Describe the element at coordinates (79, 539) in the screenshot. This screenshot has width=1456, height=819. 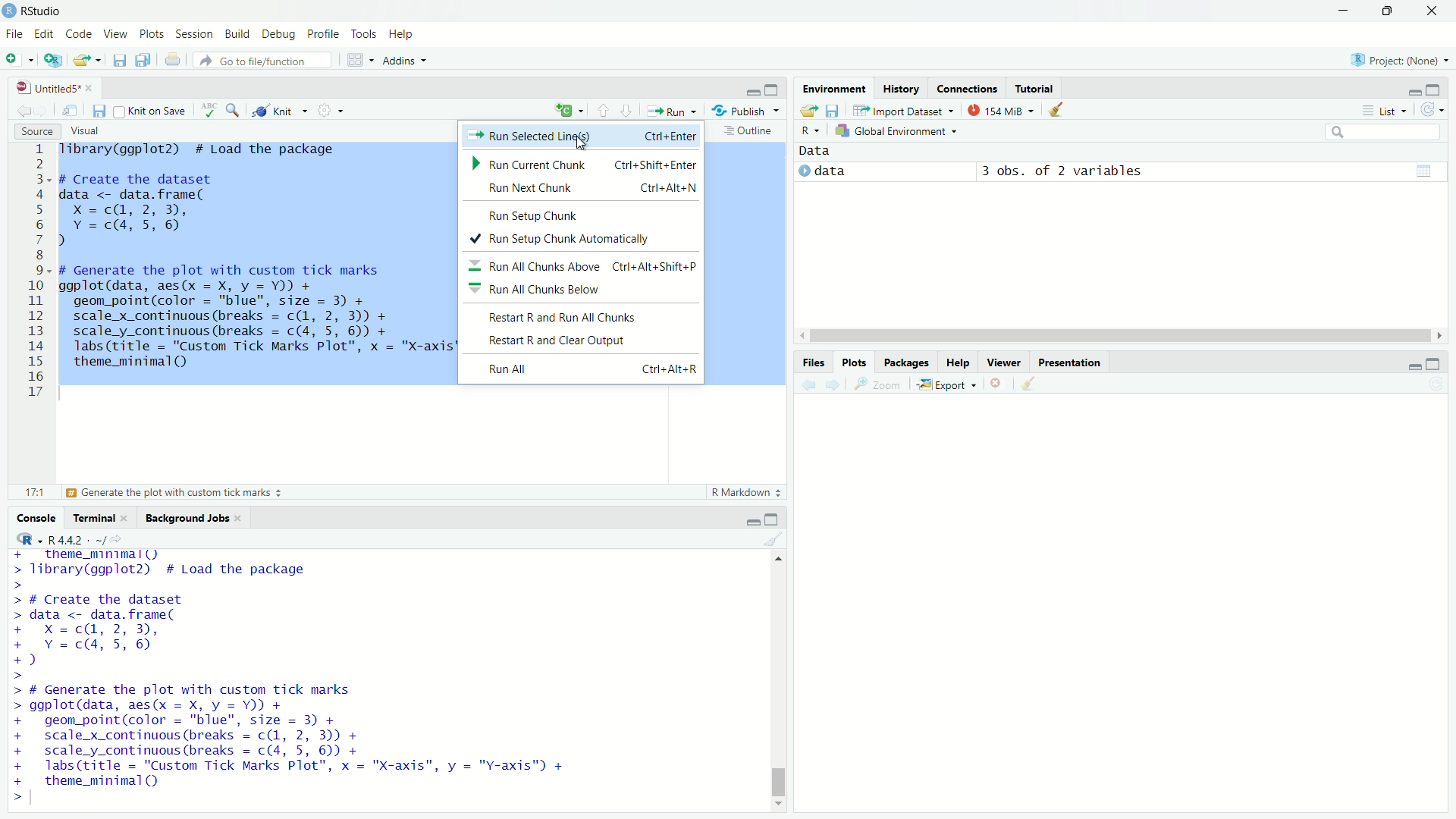
I see `R 4.4.2 . ~/` at that location.